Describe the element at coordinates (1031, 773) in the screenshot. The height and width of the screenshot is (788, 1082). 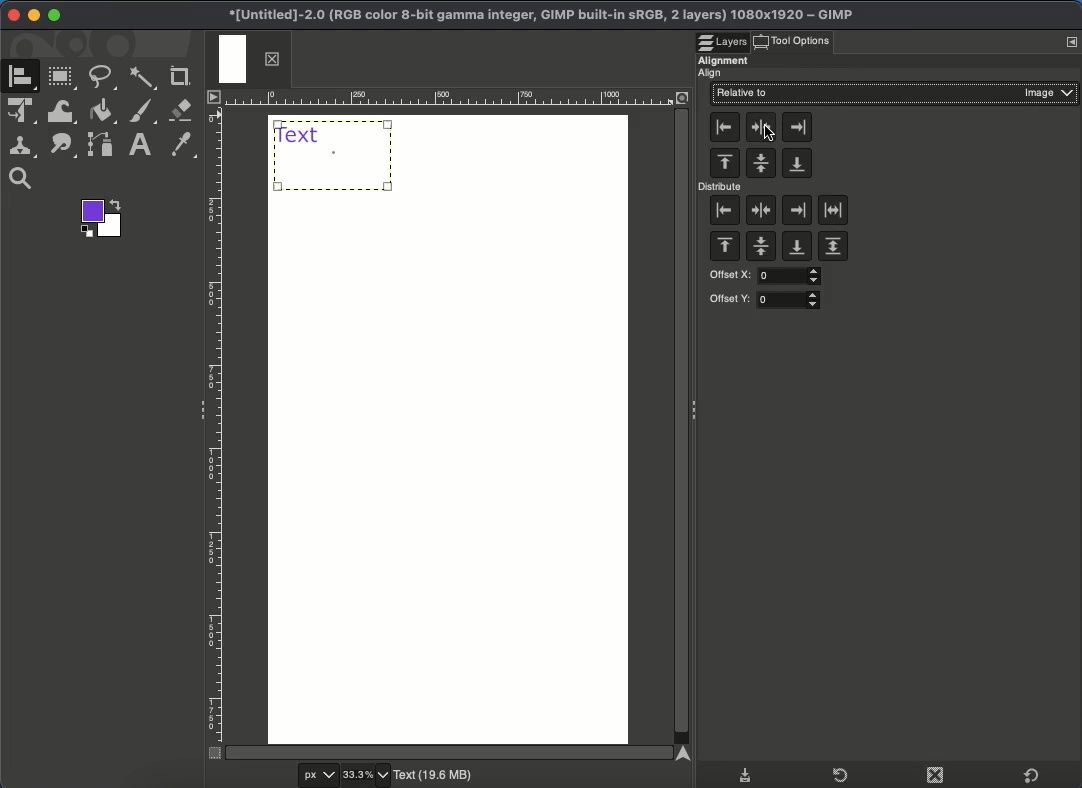
I see `Default tool presets` at that location.